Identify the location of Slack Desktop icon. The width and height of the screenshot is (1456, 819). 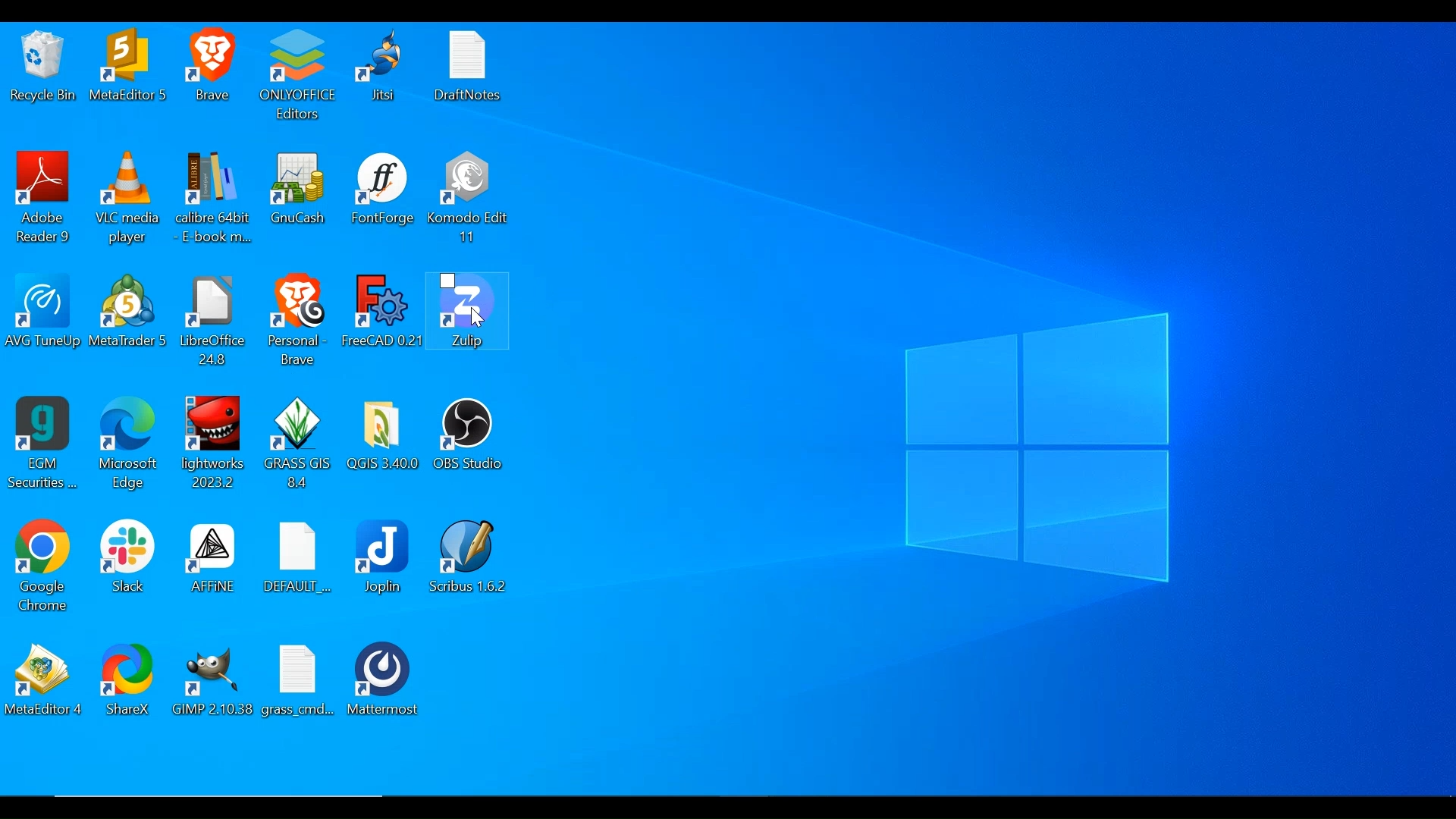
(130, 555).